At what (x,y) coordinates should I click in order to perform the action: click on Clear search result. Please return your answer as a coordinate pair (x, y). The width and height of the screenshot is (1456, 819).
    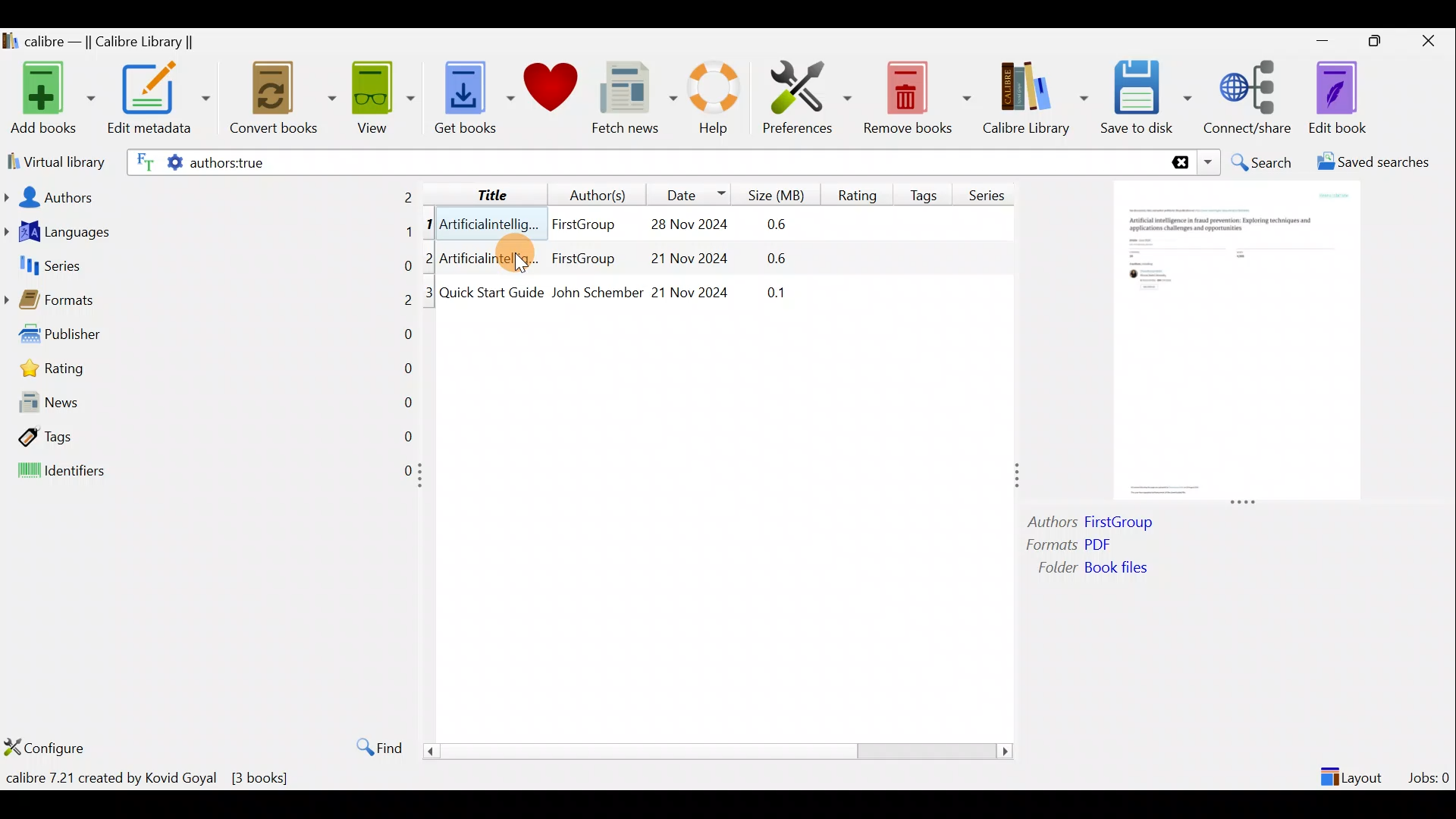
    Looking at the image, I should click on (1178, 163).